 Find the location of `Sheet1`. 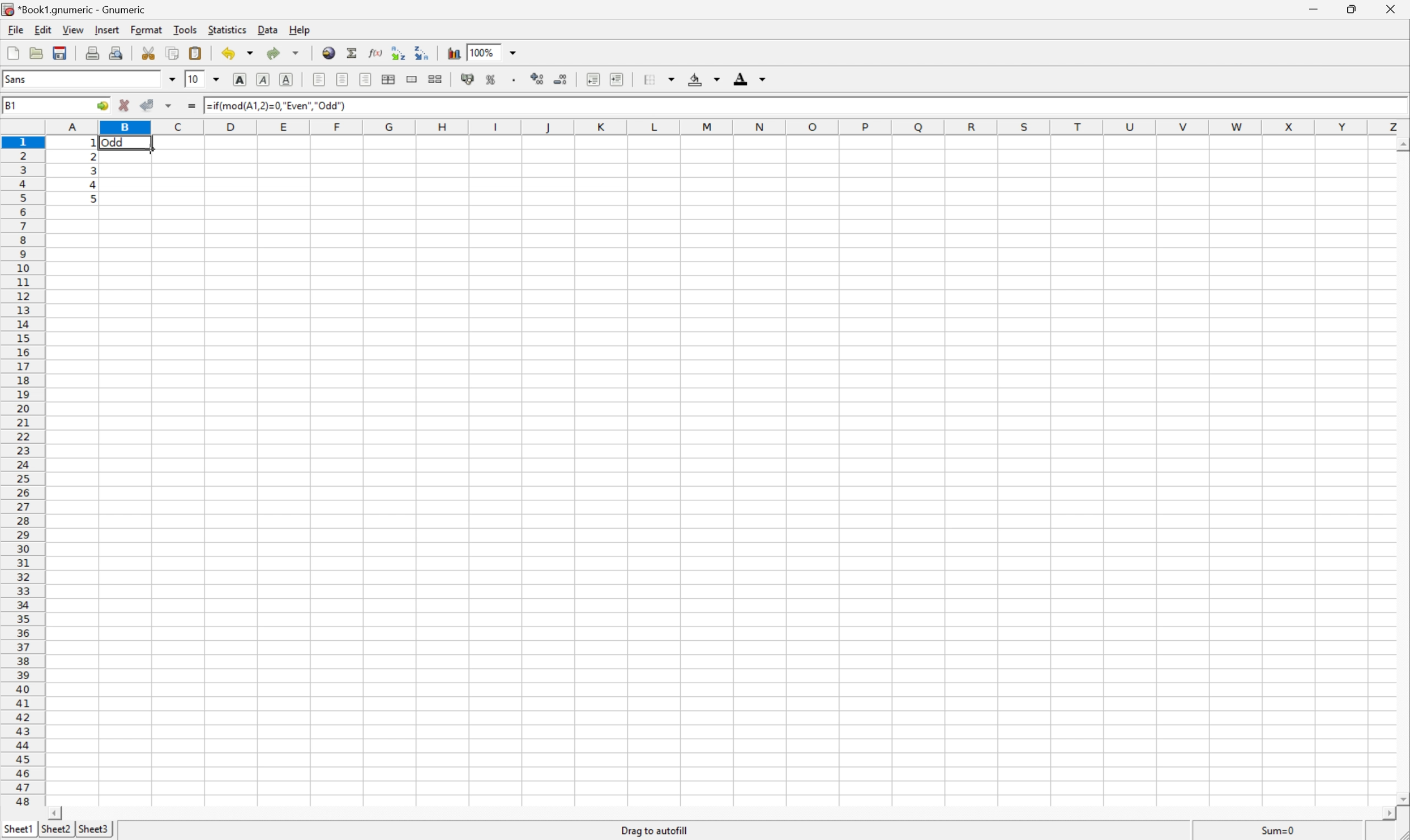

Sheet1 is located at coordinates (18, 829).